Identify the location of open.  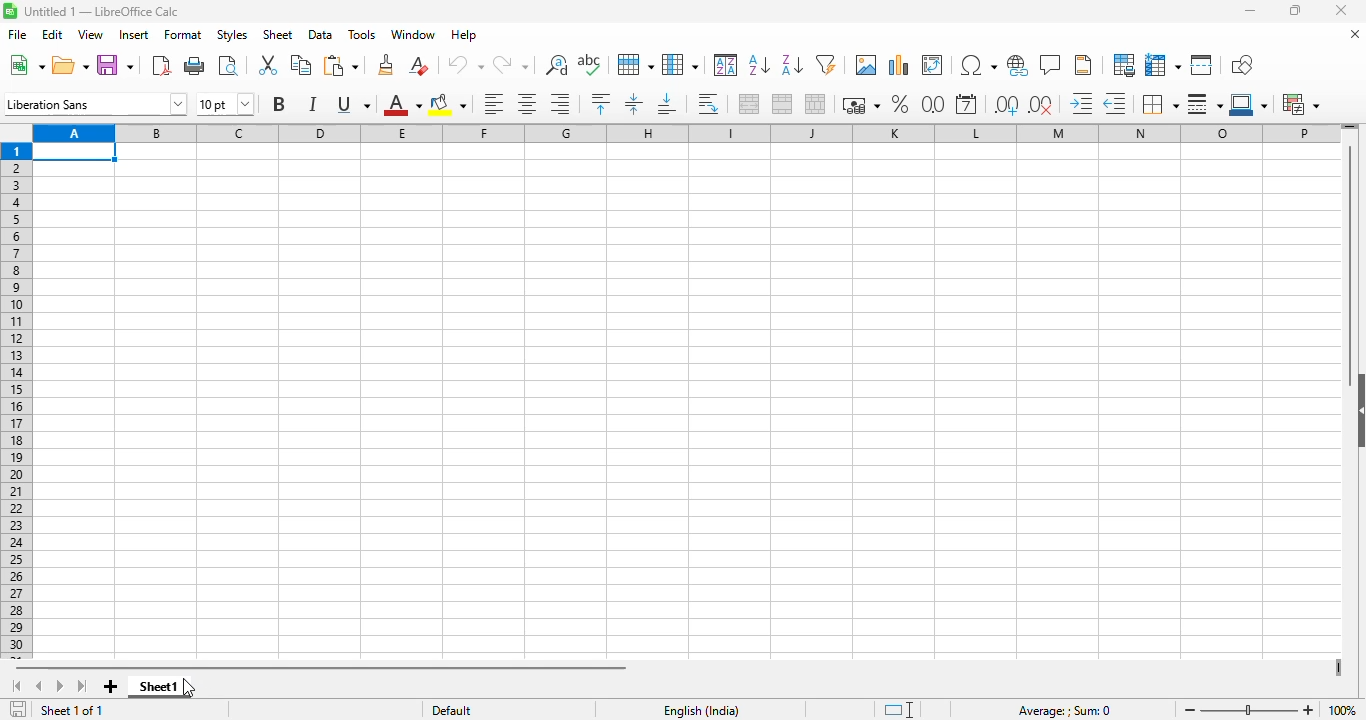
(70, 64).